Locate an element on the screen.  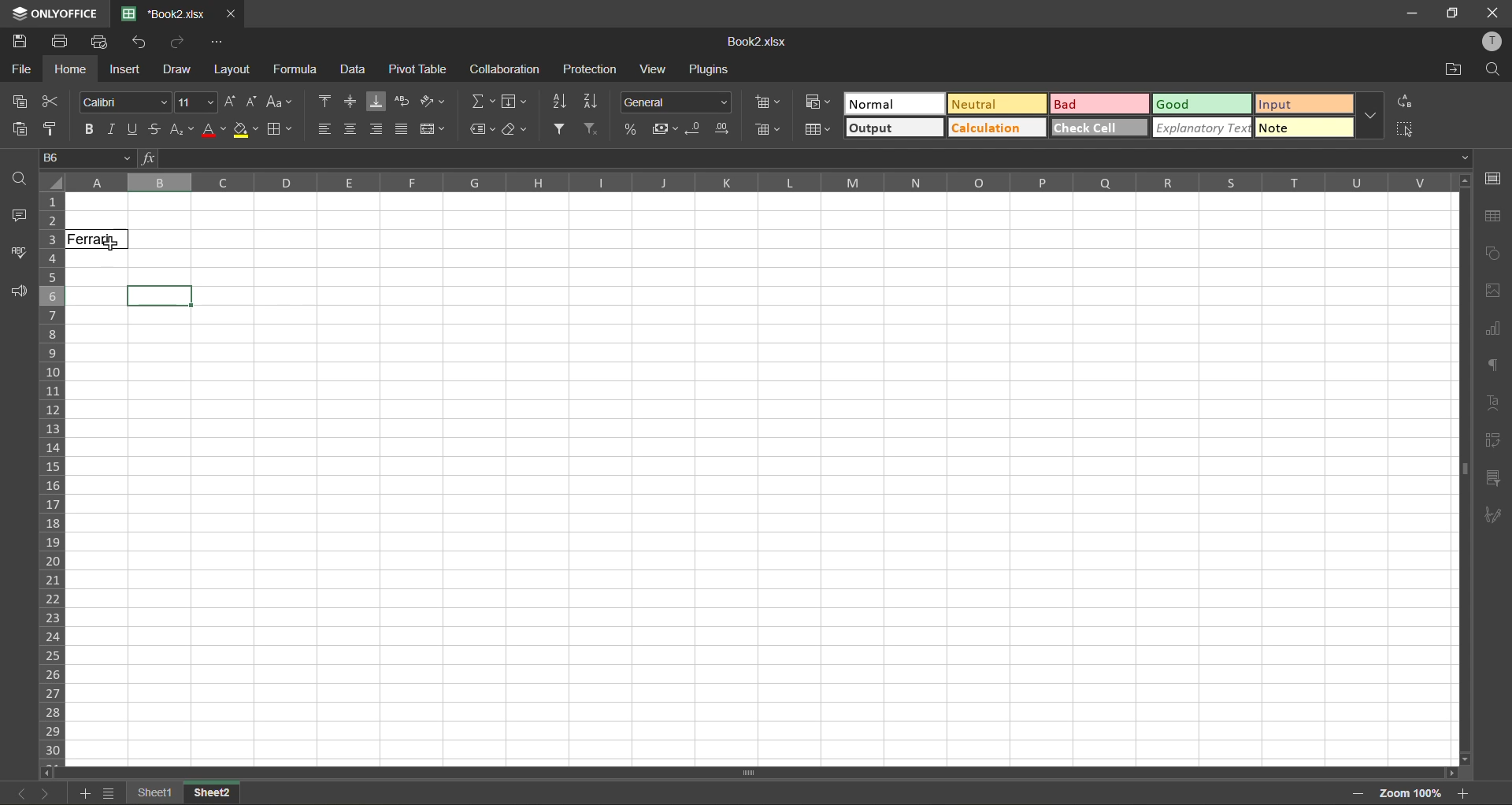
increase decimal is located at coordinates (723, 129).